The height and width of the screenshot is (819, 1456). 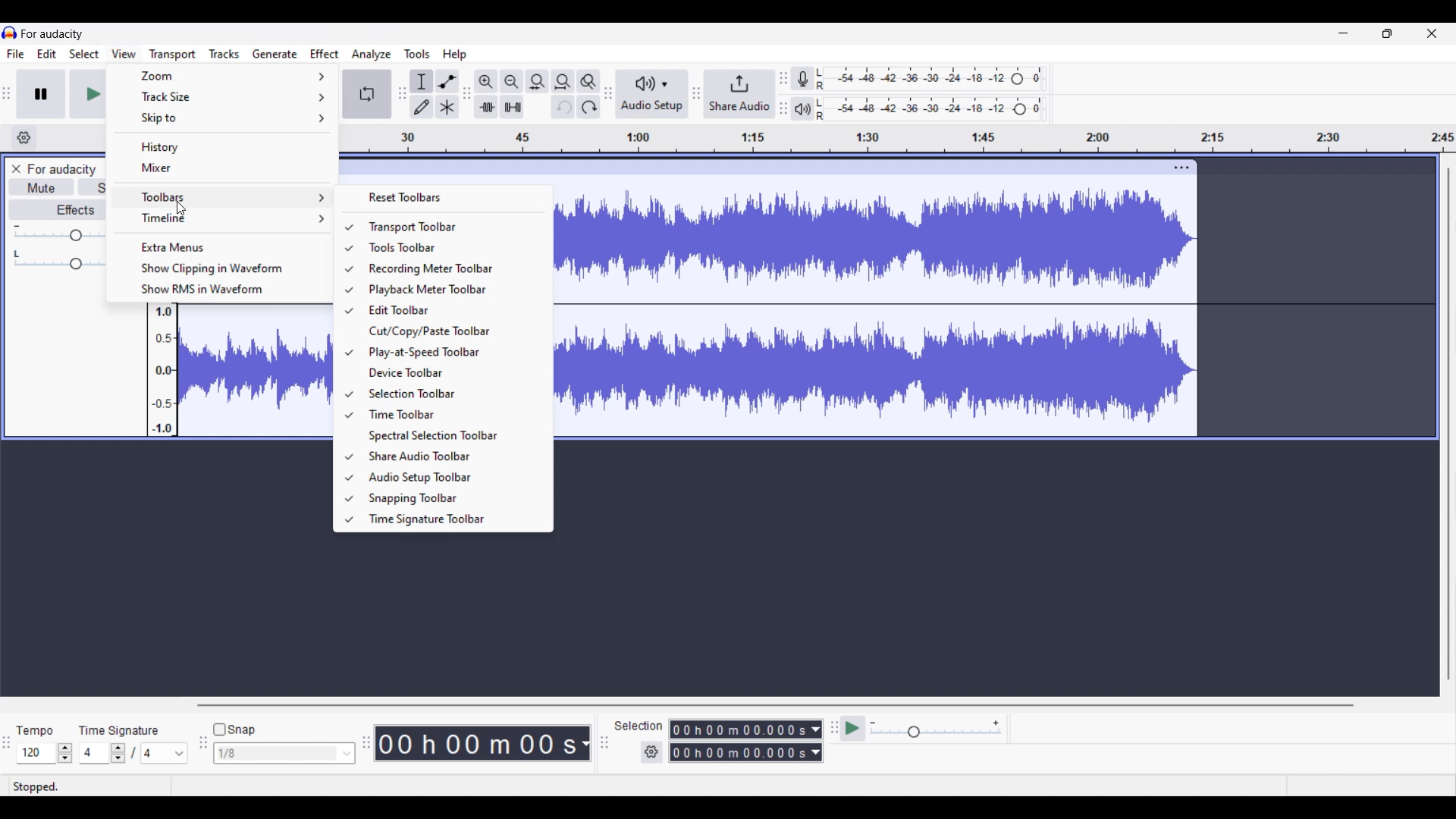 I want to click on Time signature settings, so click(x=135, y=752).